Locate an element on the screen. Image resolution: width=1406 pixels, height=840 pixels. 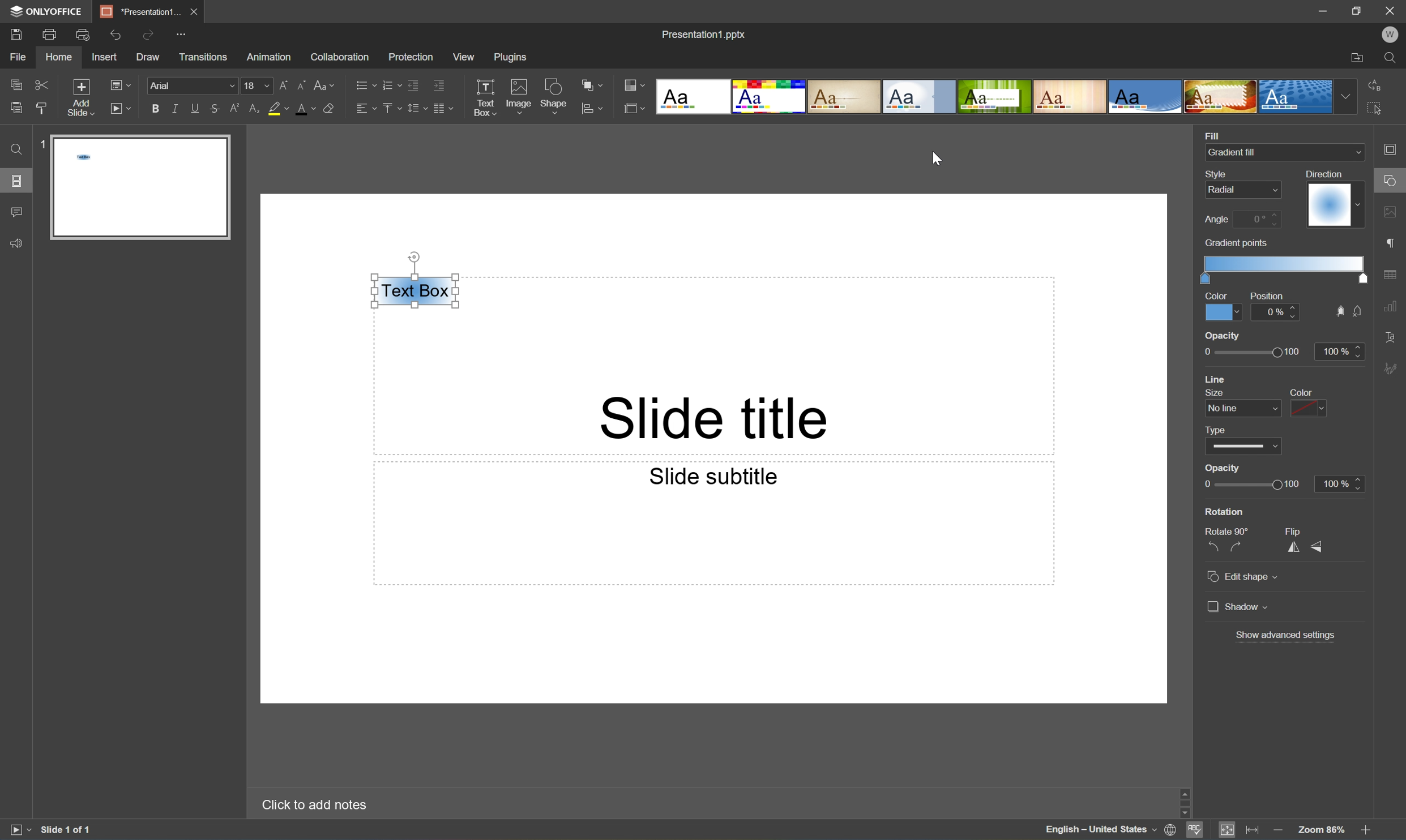
Paragraph settings is located at coordinates (1392, 245).